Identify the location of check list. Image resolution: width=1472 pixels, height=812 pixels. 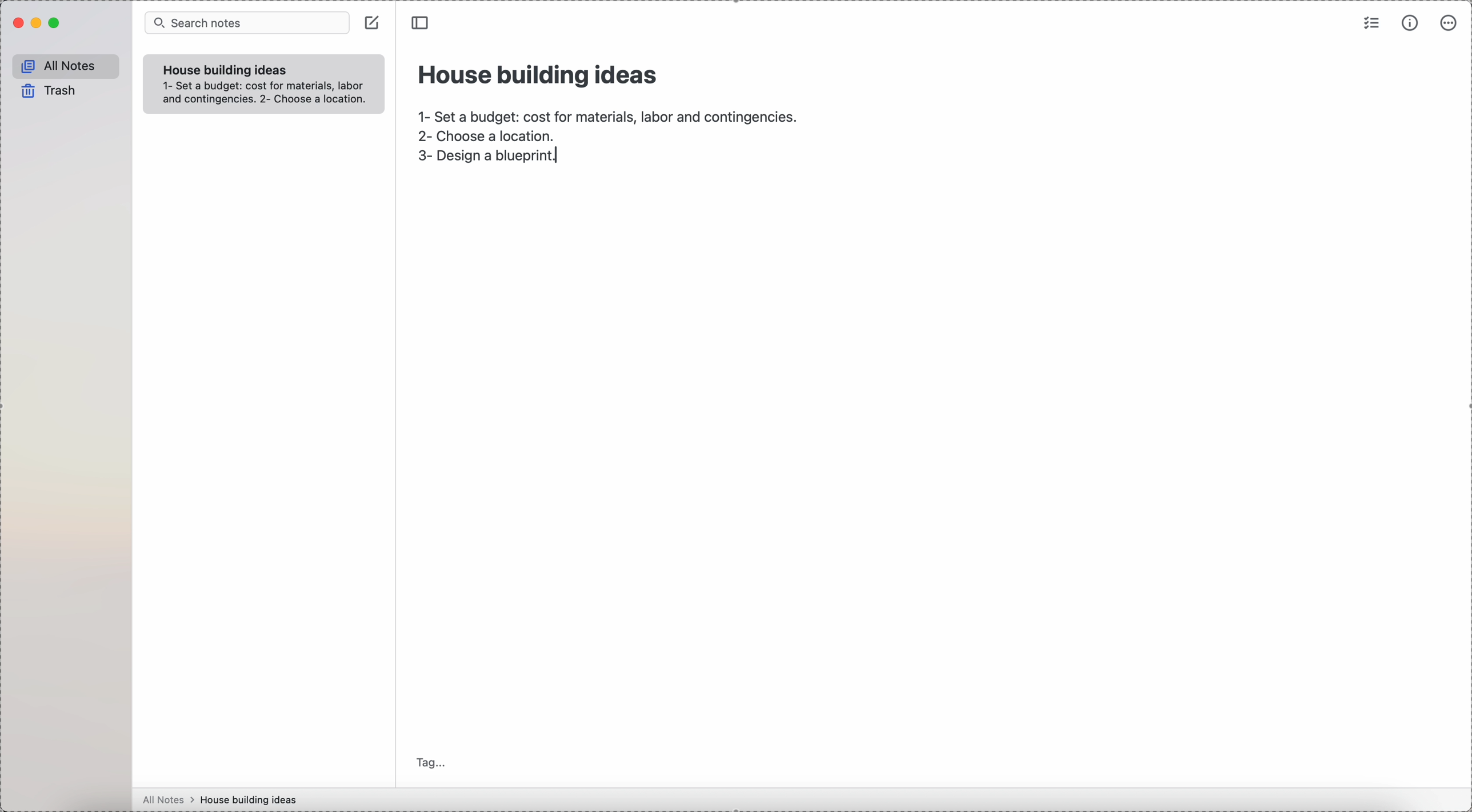
(1370, 25).